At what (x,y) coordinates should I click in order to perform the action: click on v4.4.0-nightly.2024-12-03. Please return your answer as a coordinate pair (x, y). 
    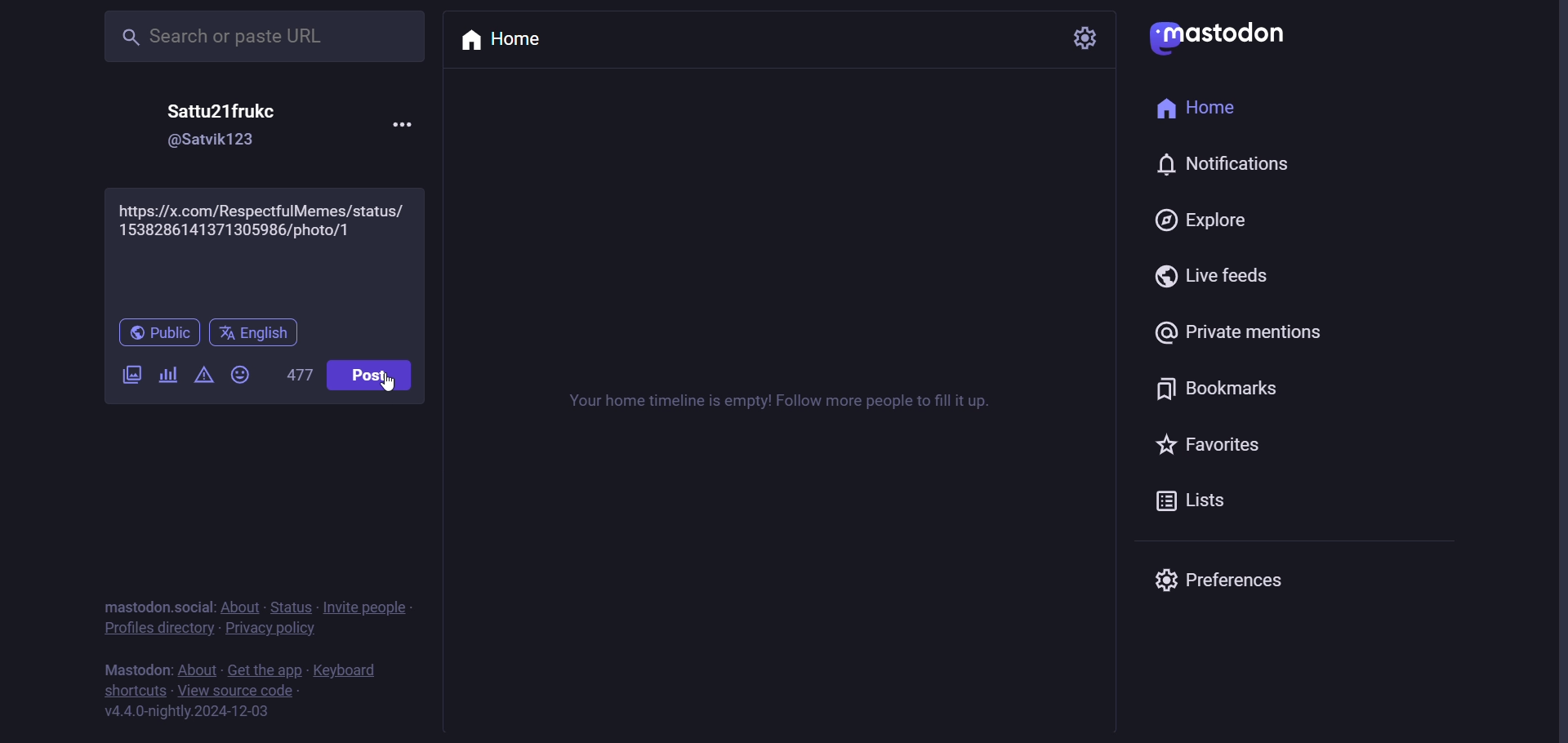
    Looking at the image, I should click on (193, 713).